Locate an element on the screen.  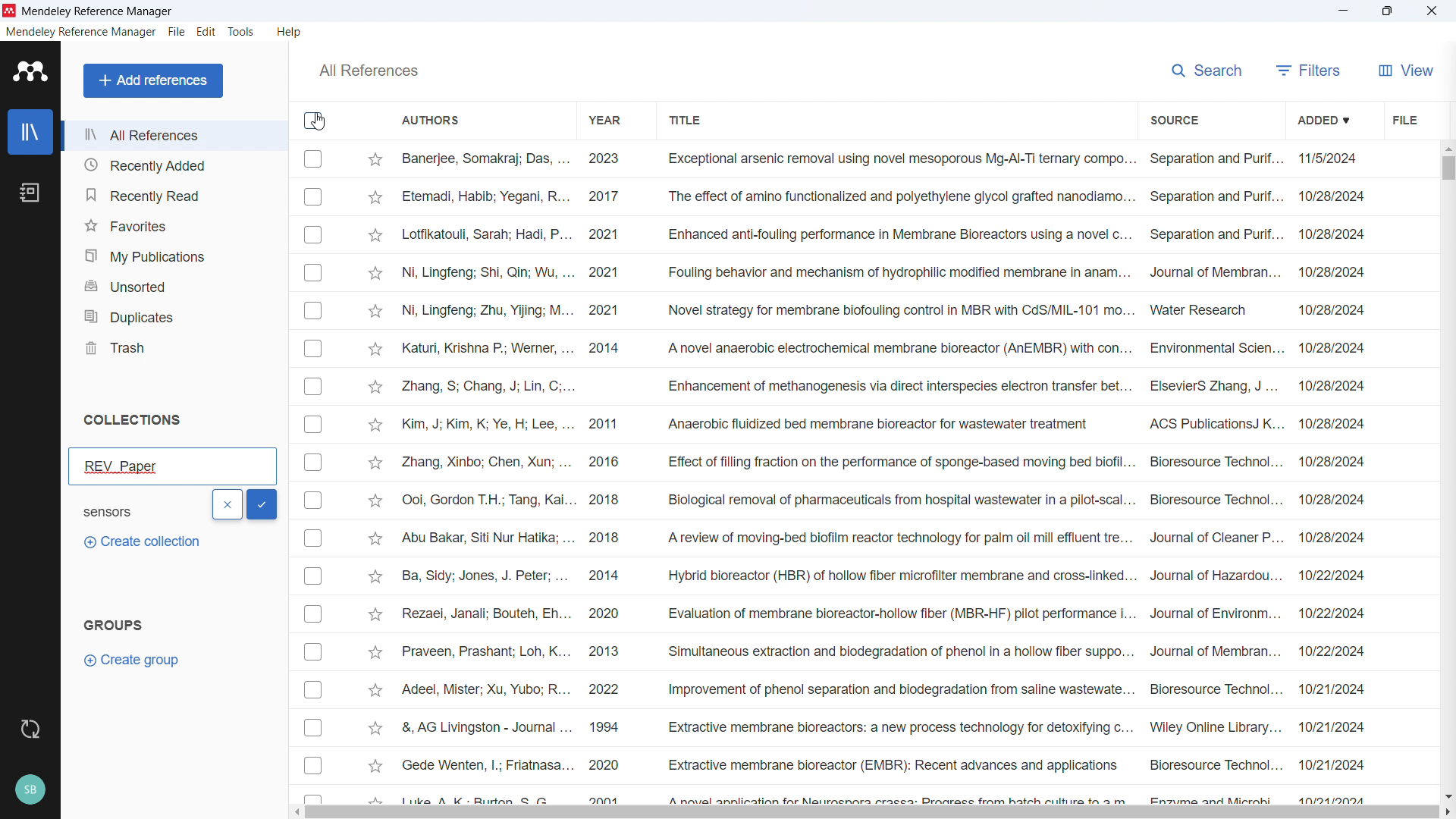
Library  is located at coordinates (30, 131).